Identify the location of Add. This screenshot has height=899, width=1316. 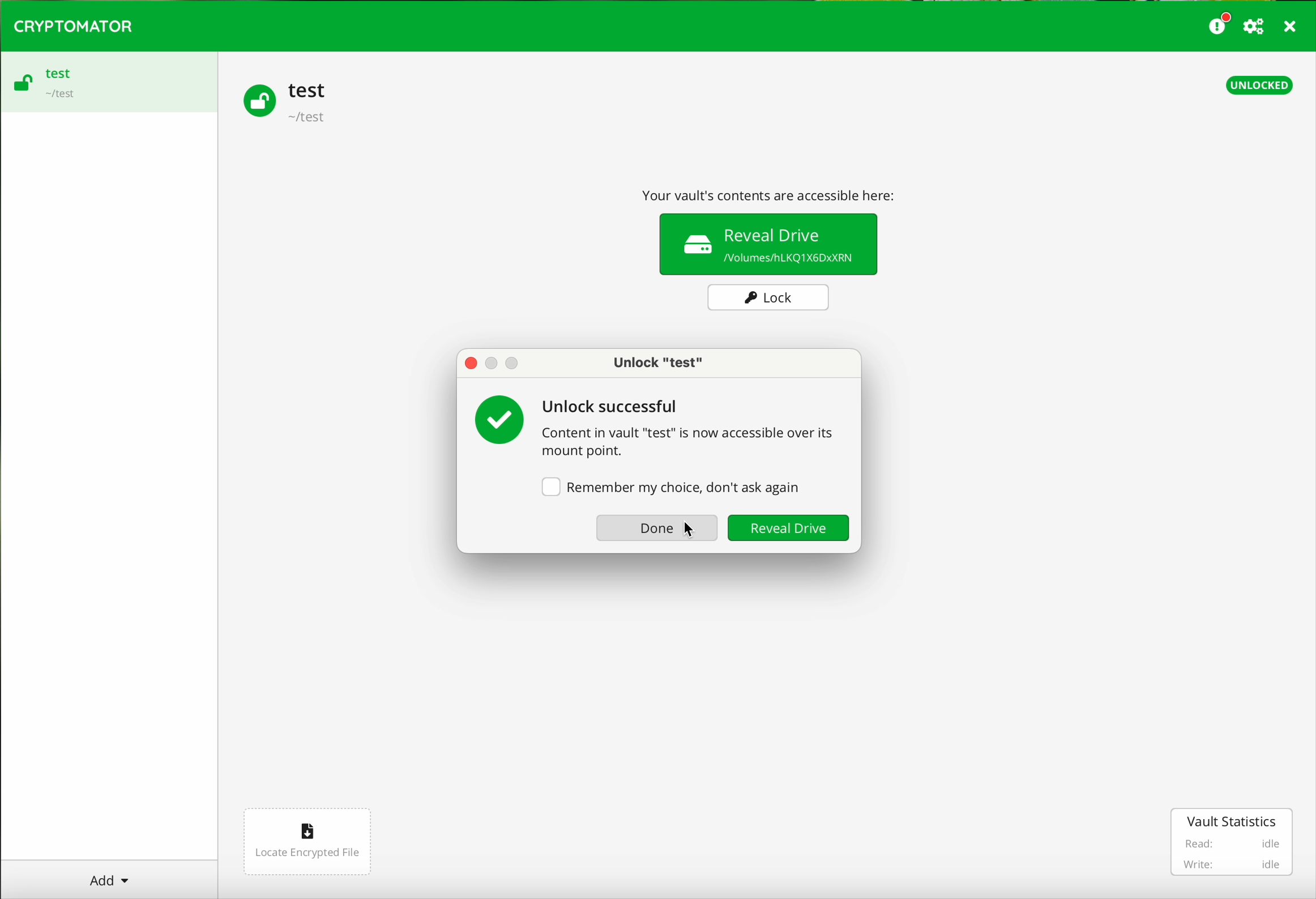
(109, 876).